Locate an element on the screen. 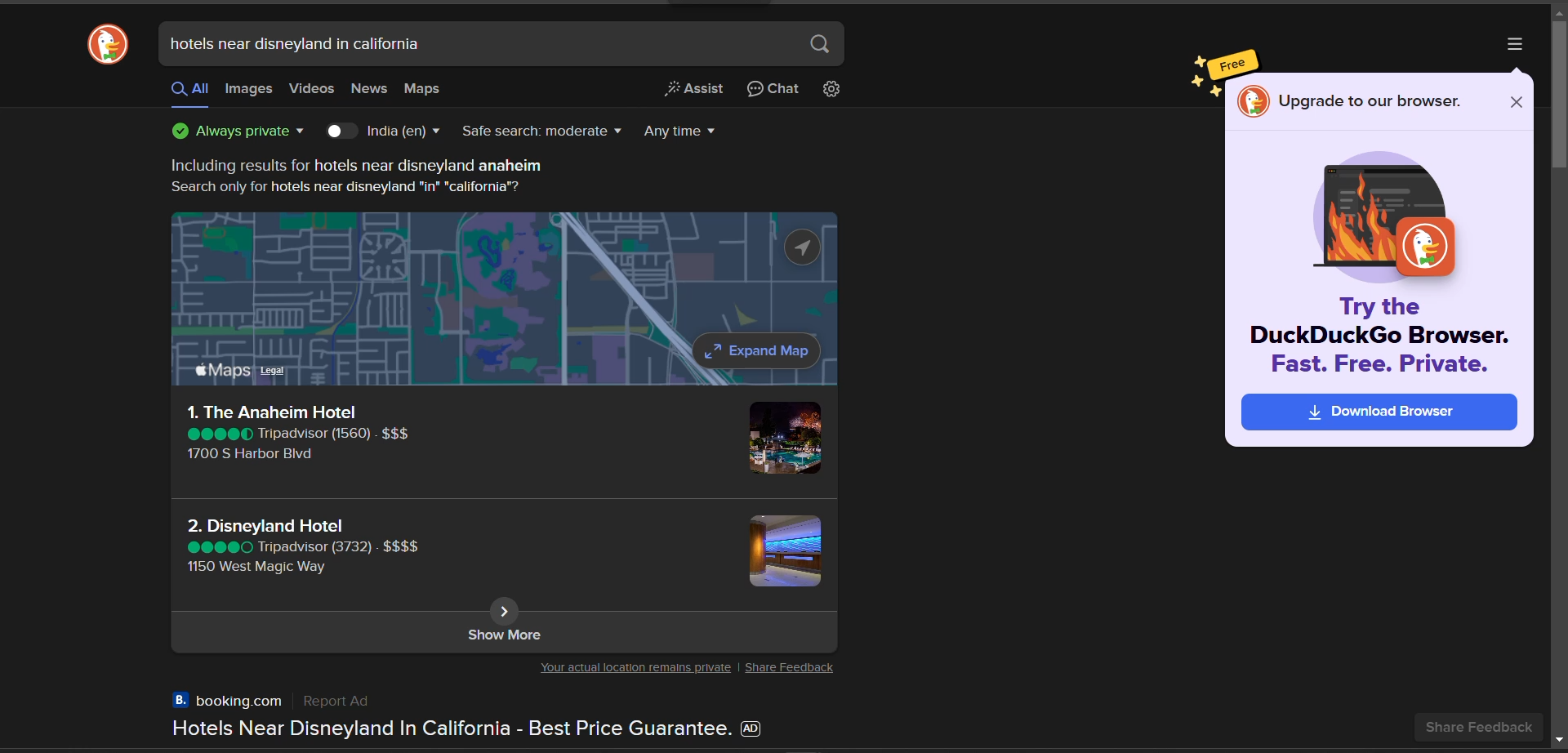  country is located at coordinates (406, 131).